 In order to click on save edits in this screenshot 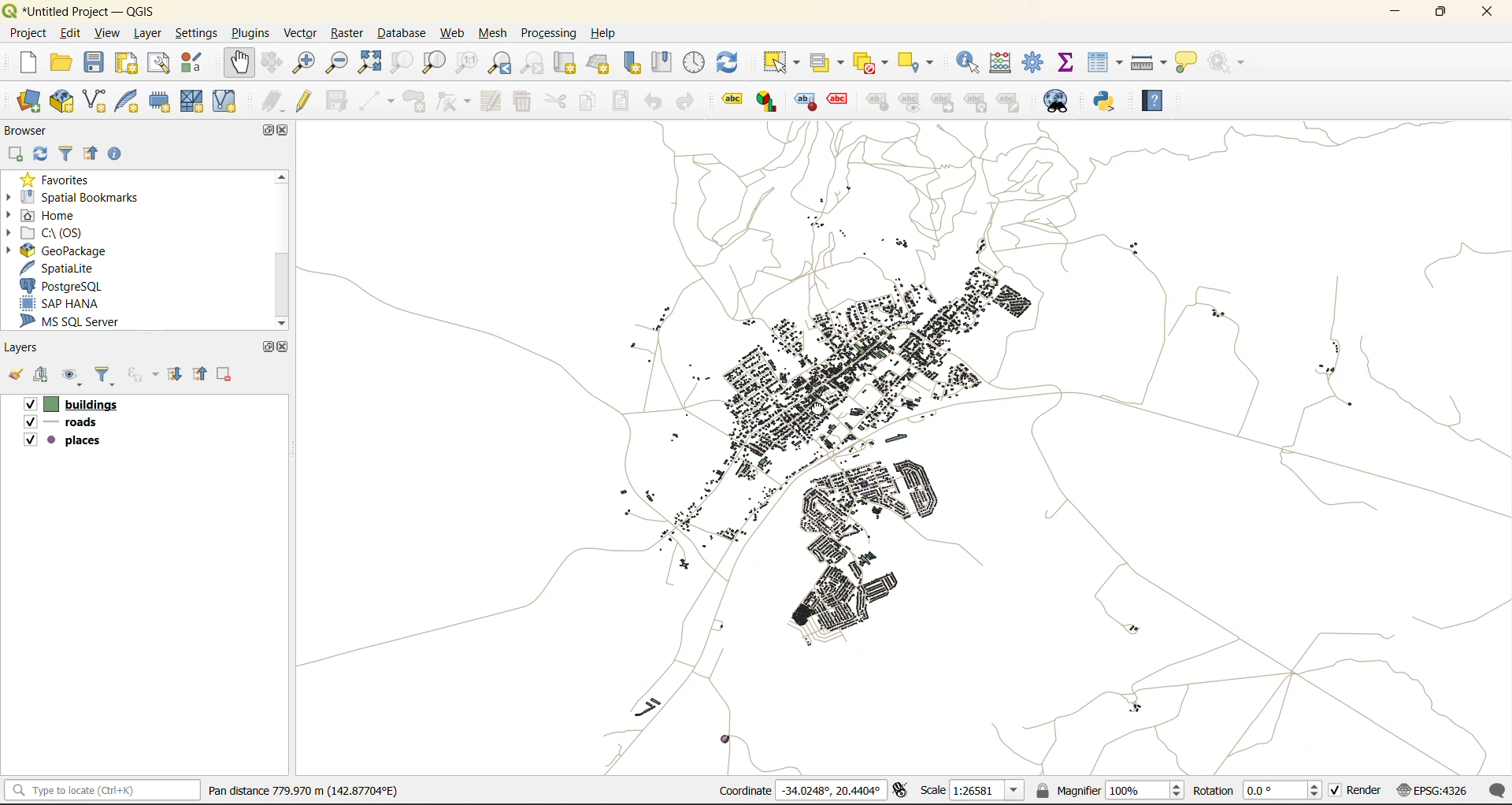, I will do `click(336, 104)`.